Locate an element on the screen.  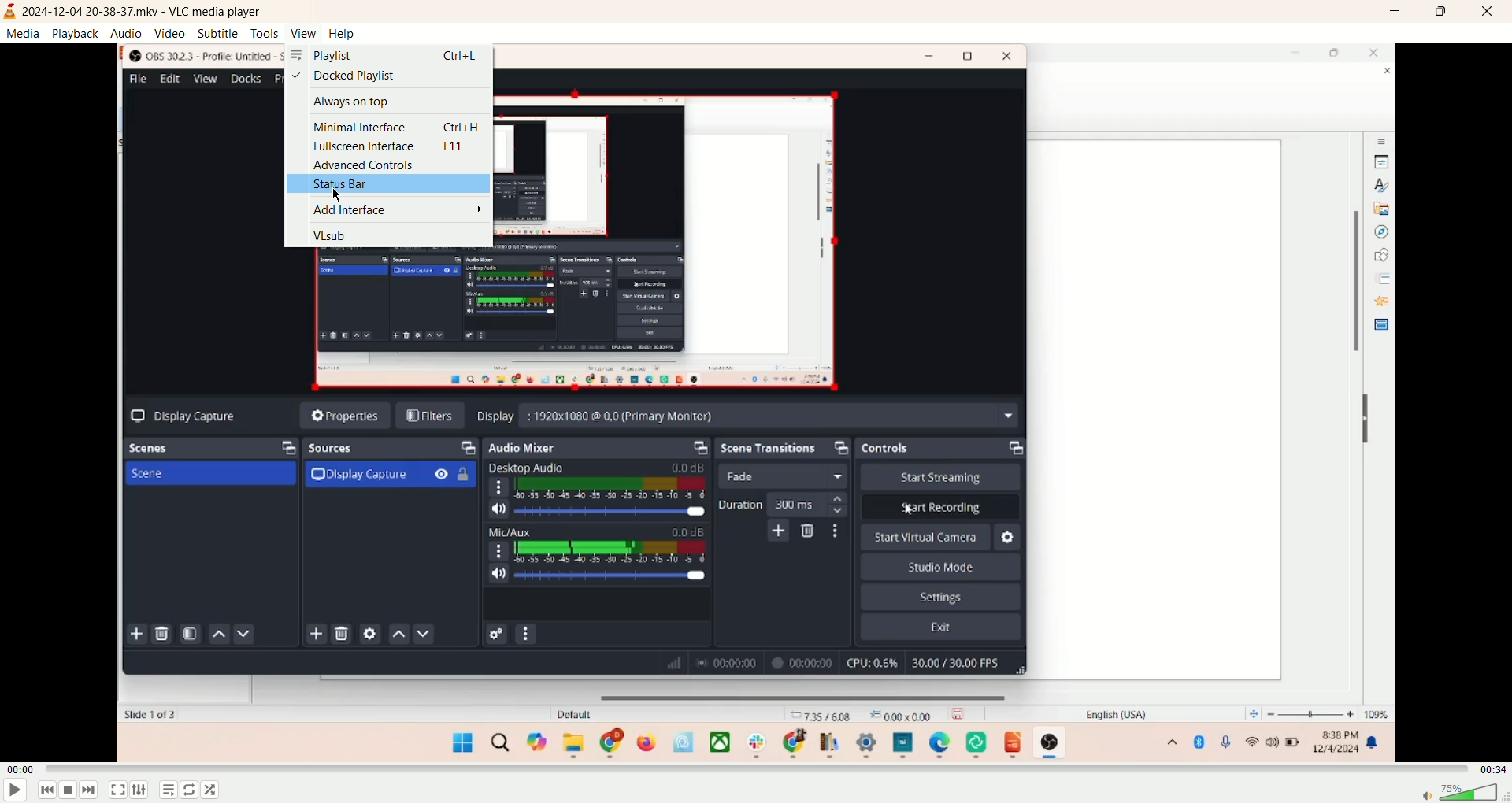
progress bar is located at coordinates (758, 767).